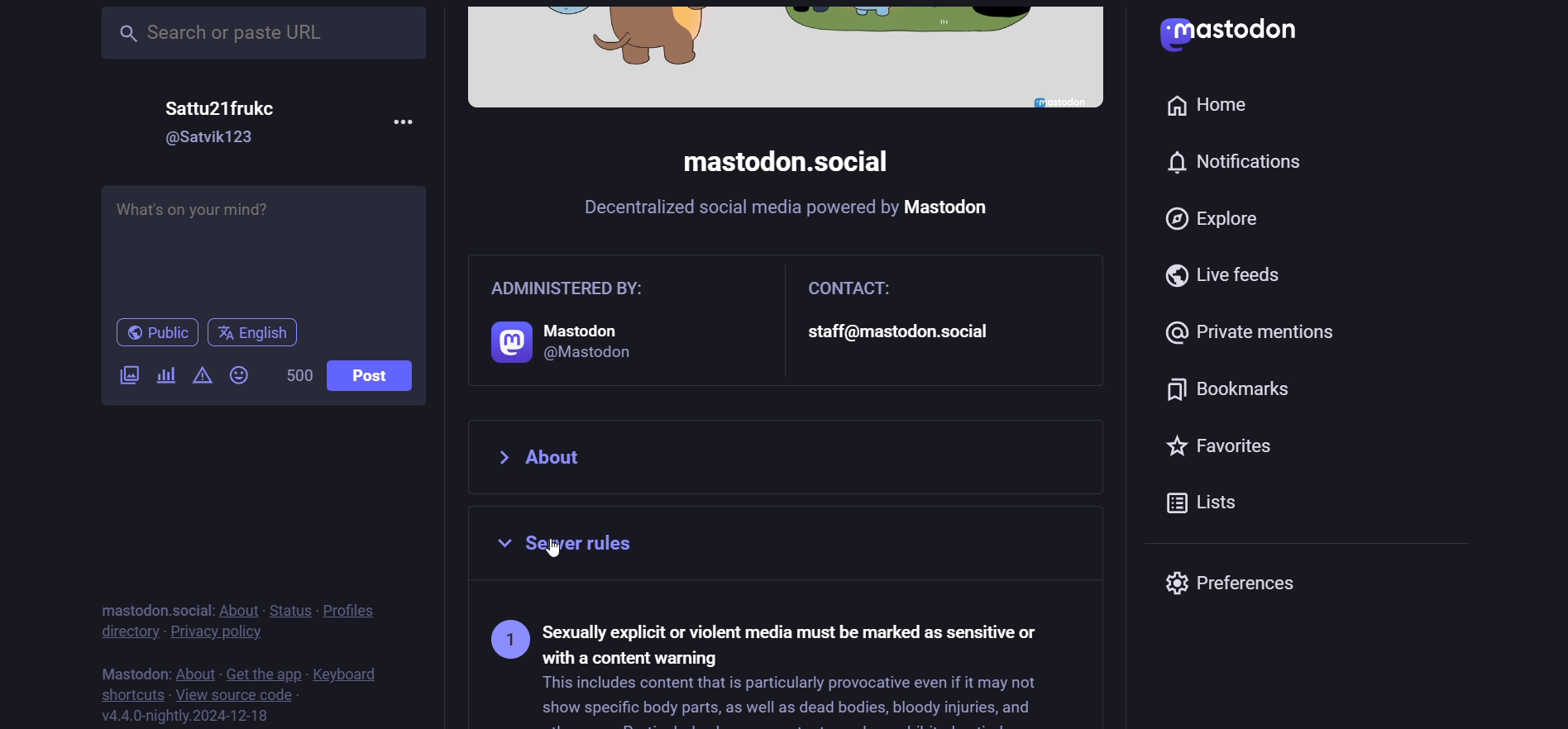  I want to click on live feed, so click(1225, 275).